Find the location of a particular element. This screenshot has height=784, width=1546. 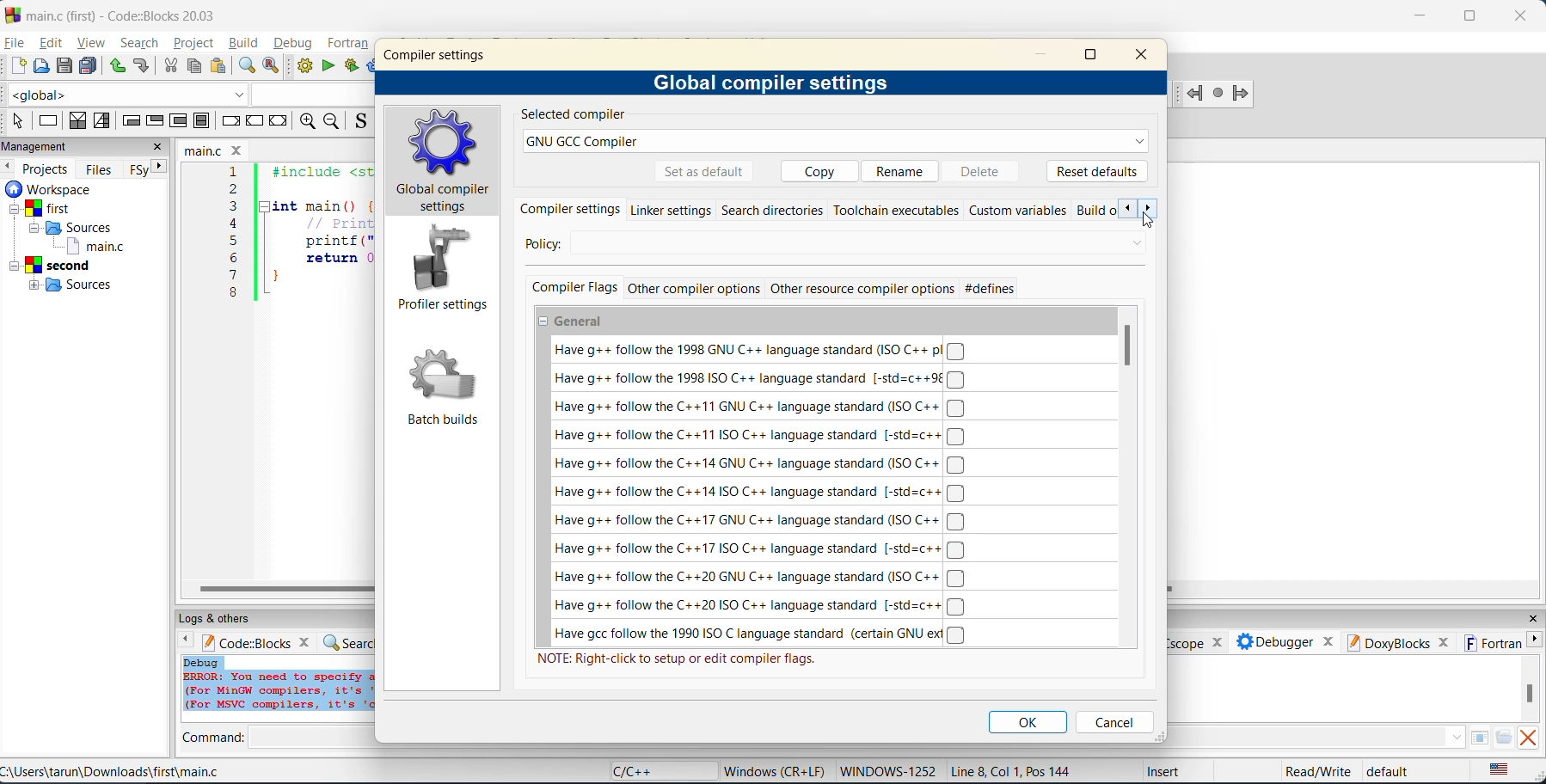

maximize is located at coordinates (1469, 17).